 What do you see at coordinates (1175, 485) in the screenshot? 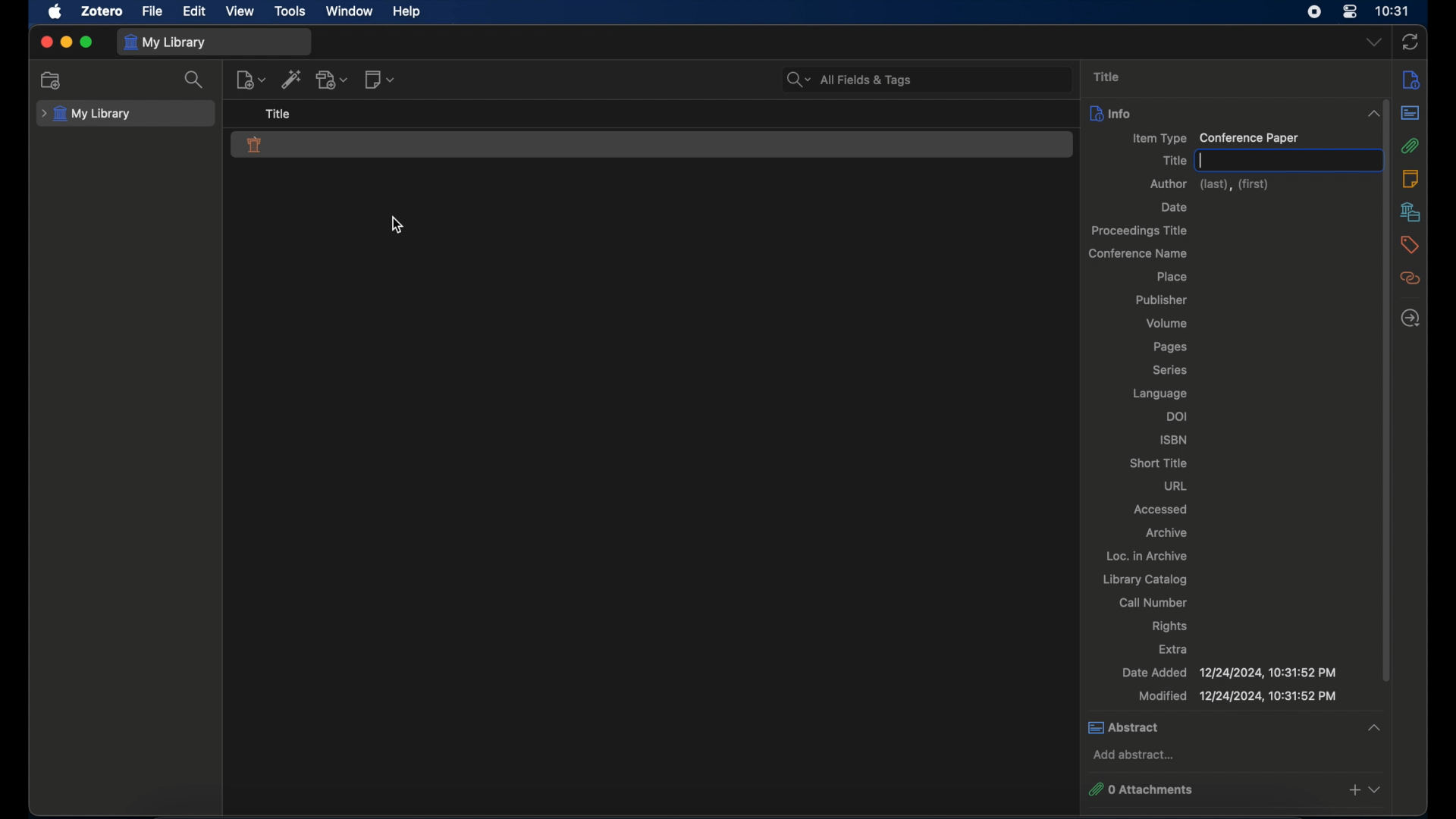
I see `url` at bounding box center [1175, 485].